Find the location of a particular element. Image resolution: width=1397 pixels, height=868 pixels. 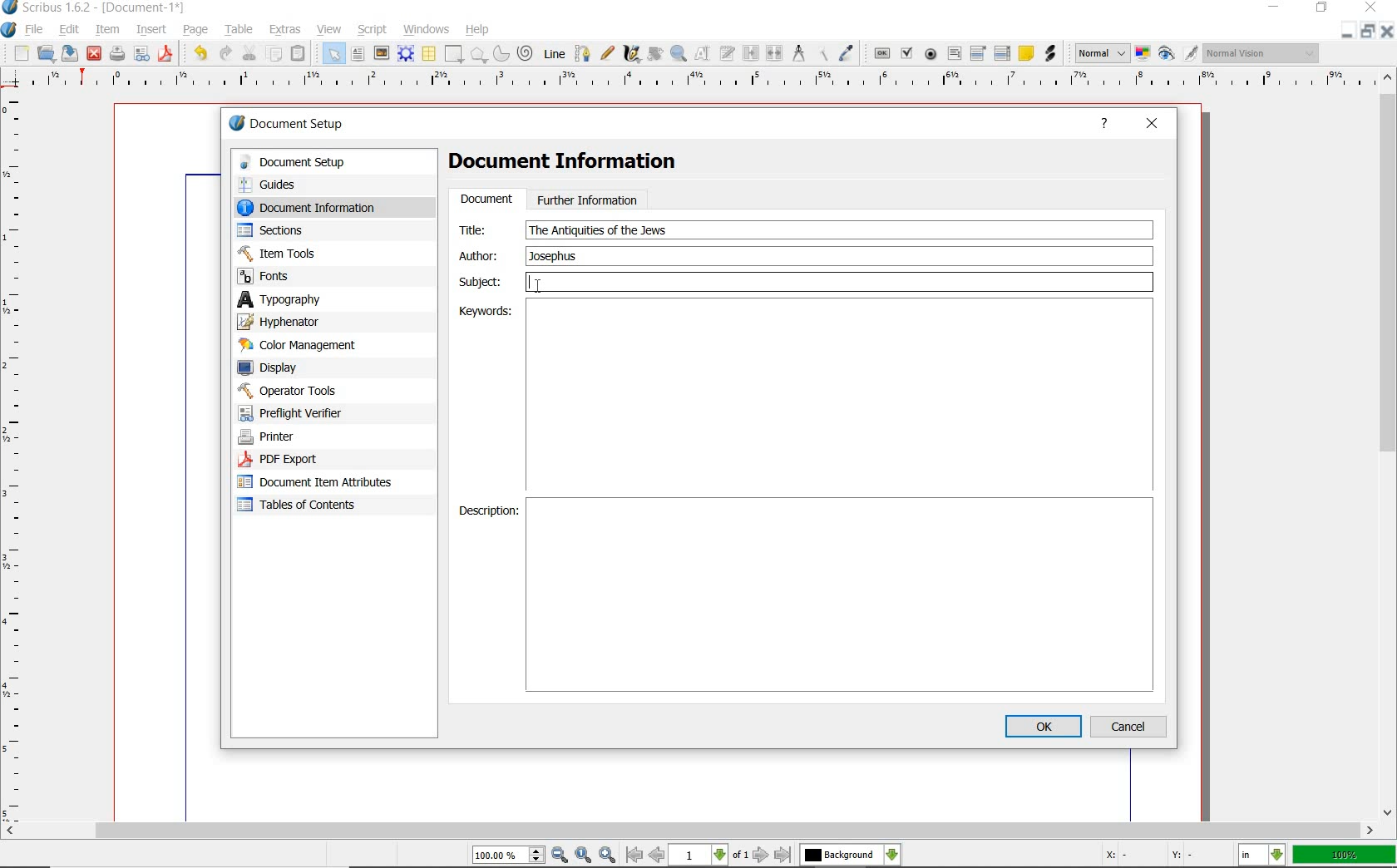

ruler is located at coordinates (705, 83).